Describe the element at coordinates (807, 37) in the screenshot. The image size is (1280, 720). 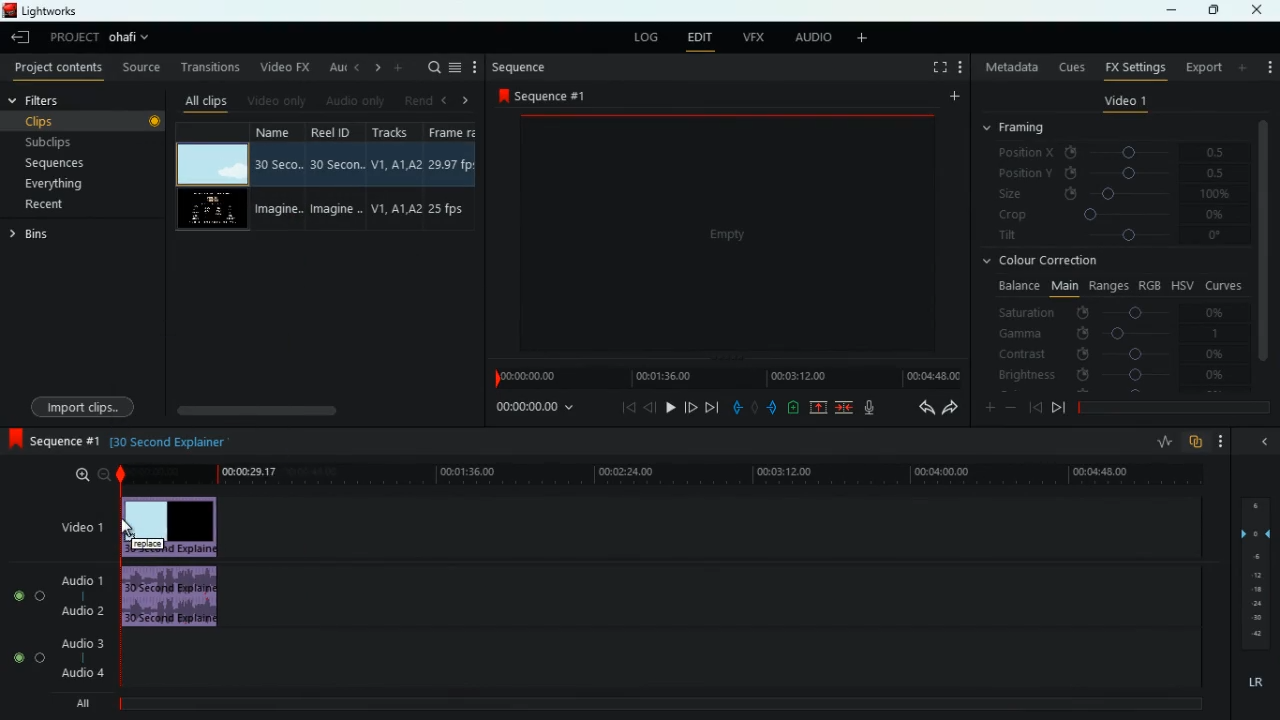
I see `audio` at that location.